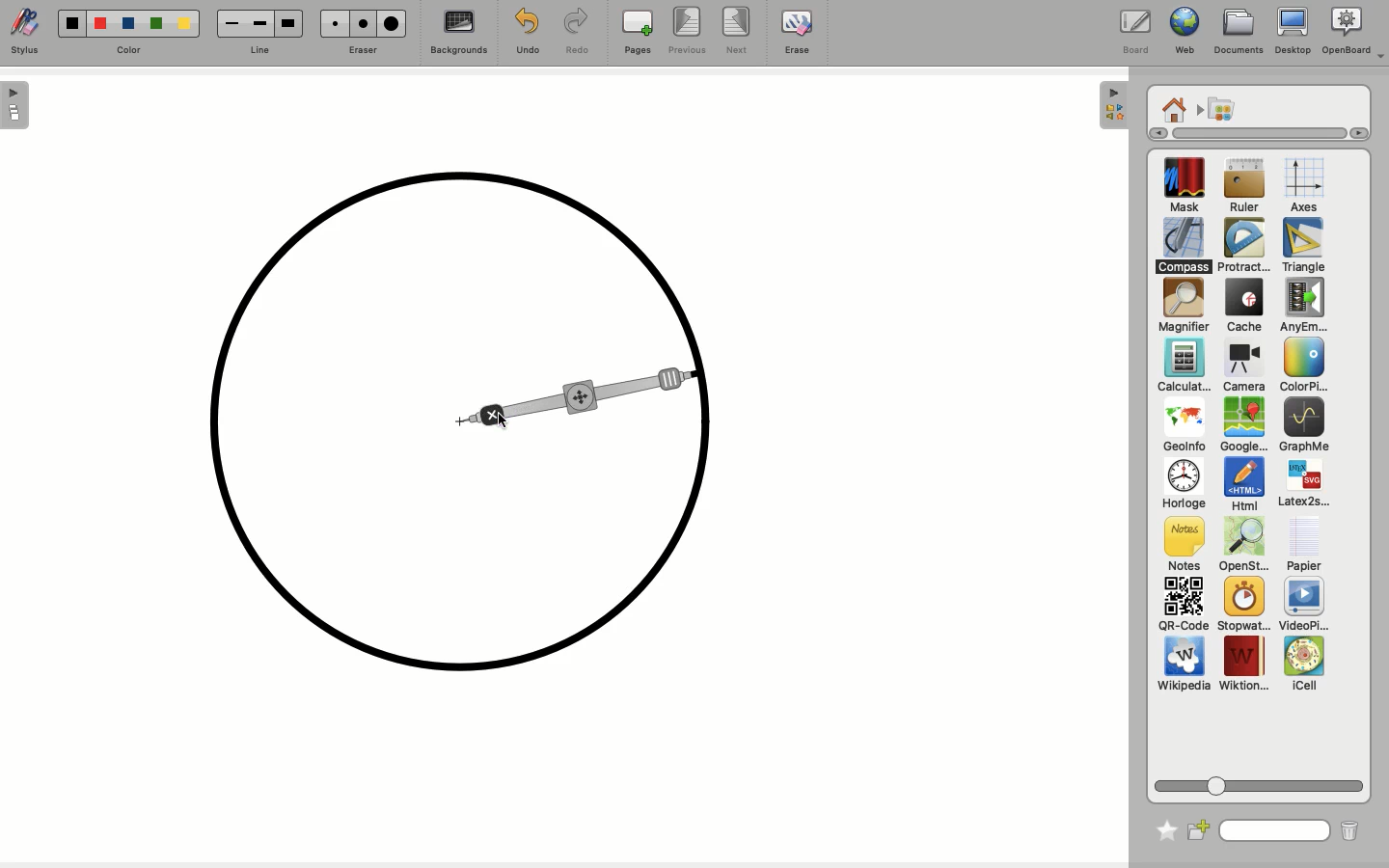  What do you see at coordinates (183, 25) in the screenshot?
I see `color5` at bounding box center [183, 25].